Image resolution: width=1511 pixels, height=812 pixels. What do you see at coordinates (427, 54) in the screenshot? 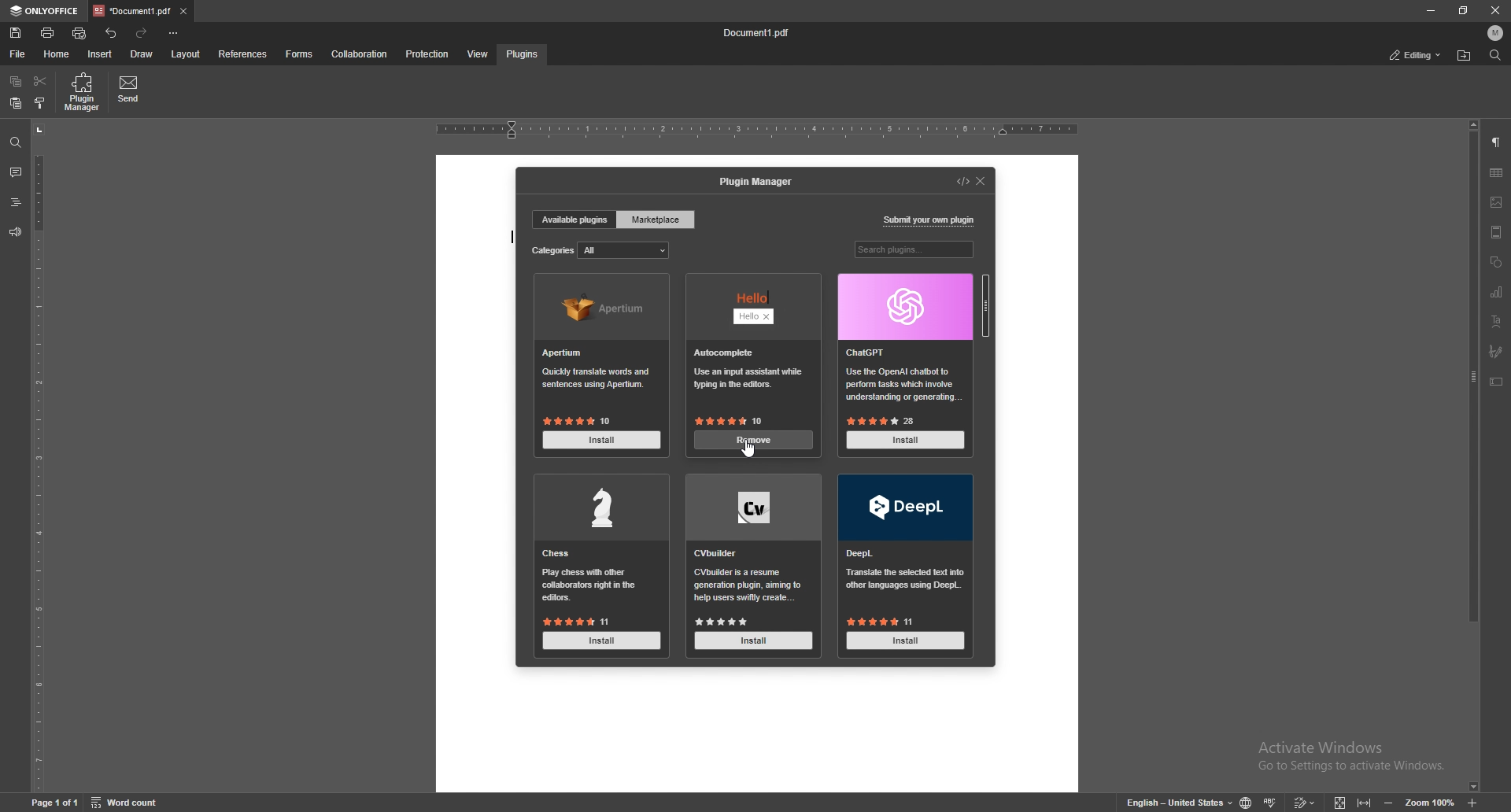
I see `protection` at bounding box center [427, 54].